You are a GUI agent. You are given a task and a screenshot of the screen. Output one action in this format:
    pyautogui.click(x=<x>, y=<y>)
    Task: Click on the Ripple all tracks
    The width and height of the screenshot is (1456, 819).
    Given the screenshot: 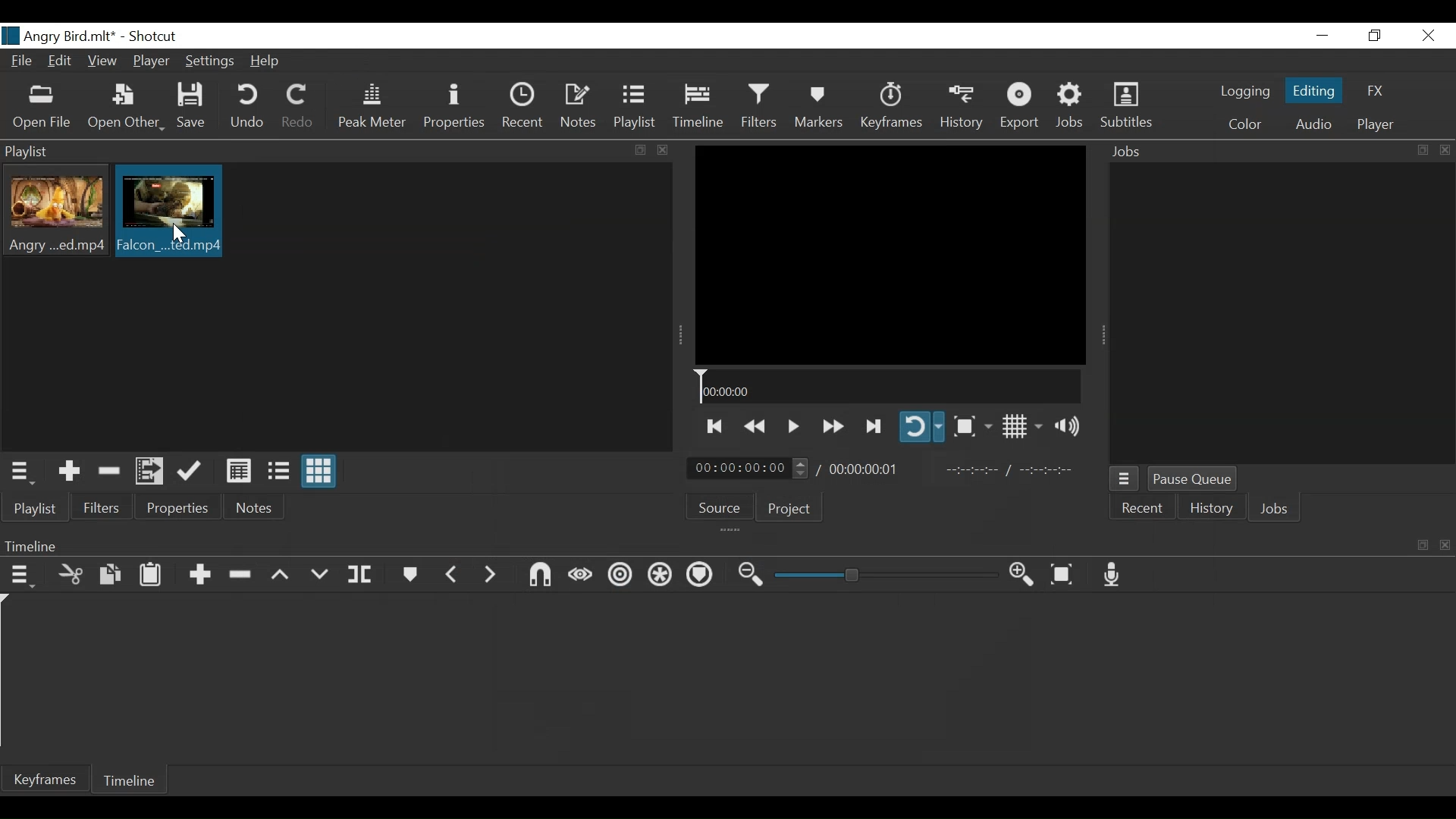 What is the action you would take?
    pyautogui.click(x=699, y=576)
    